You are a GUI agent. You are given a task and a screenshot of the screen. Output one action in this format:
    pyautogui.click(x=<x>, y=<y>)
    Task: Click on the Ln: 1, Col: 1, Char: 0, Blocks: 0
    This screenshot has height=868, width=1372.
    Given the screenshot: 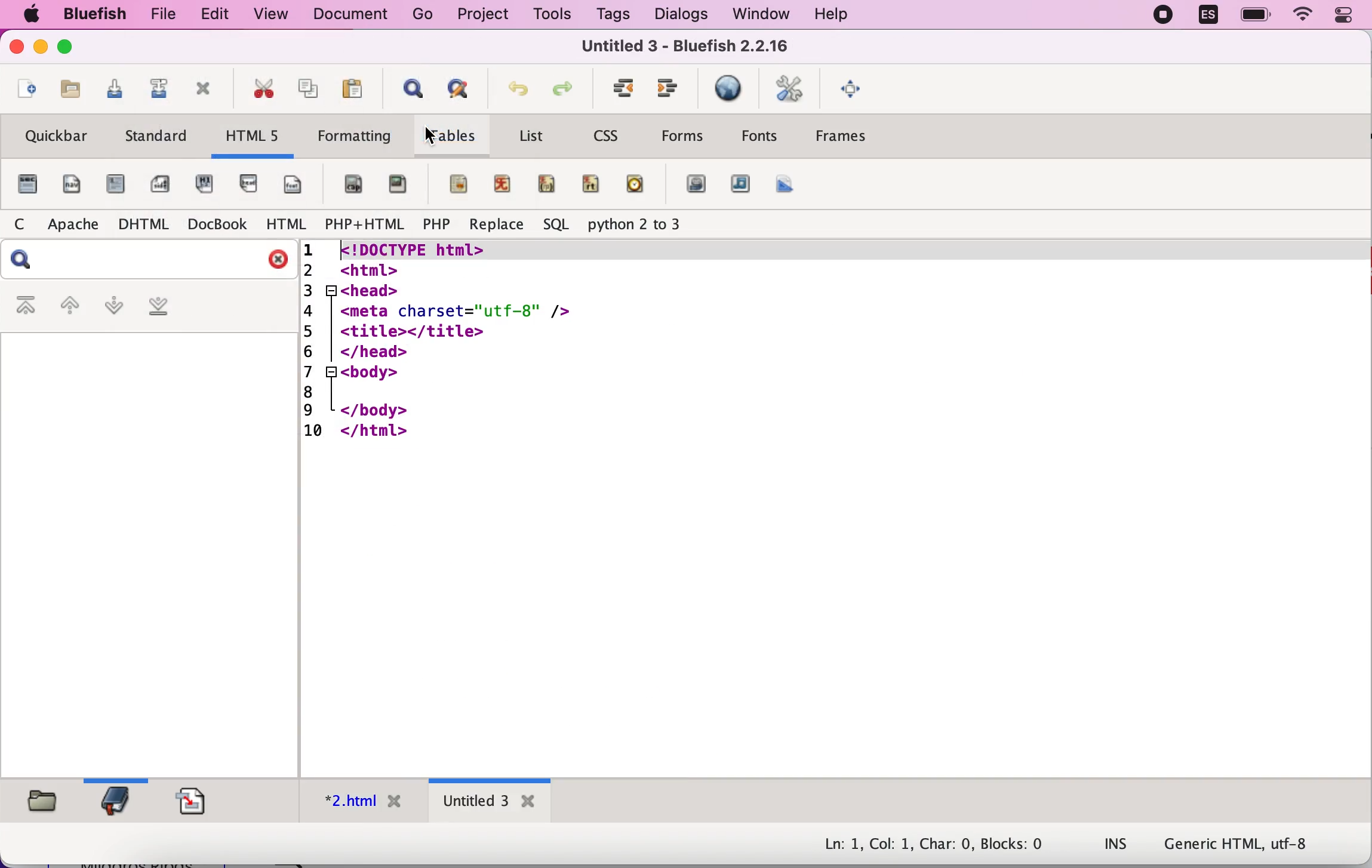 What is the action you would take?
    pyautogui.click(x=943, y=845)
    